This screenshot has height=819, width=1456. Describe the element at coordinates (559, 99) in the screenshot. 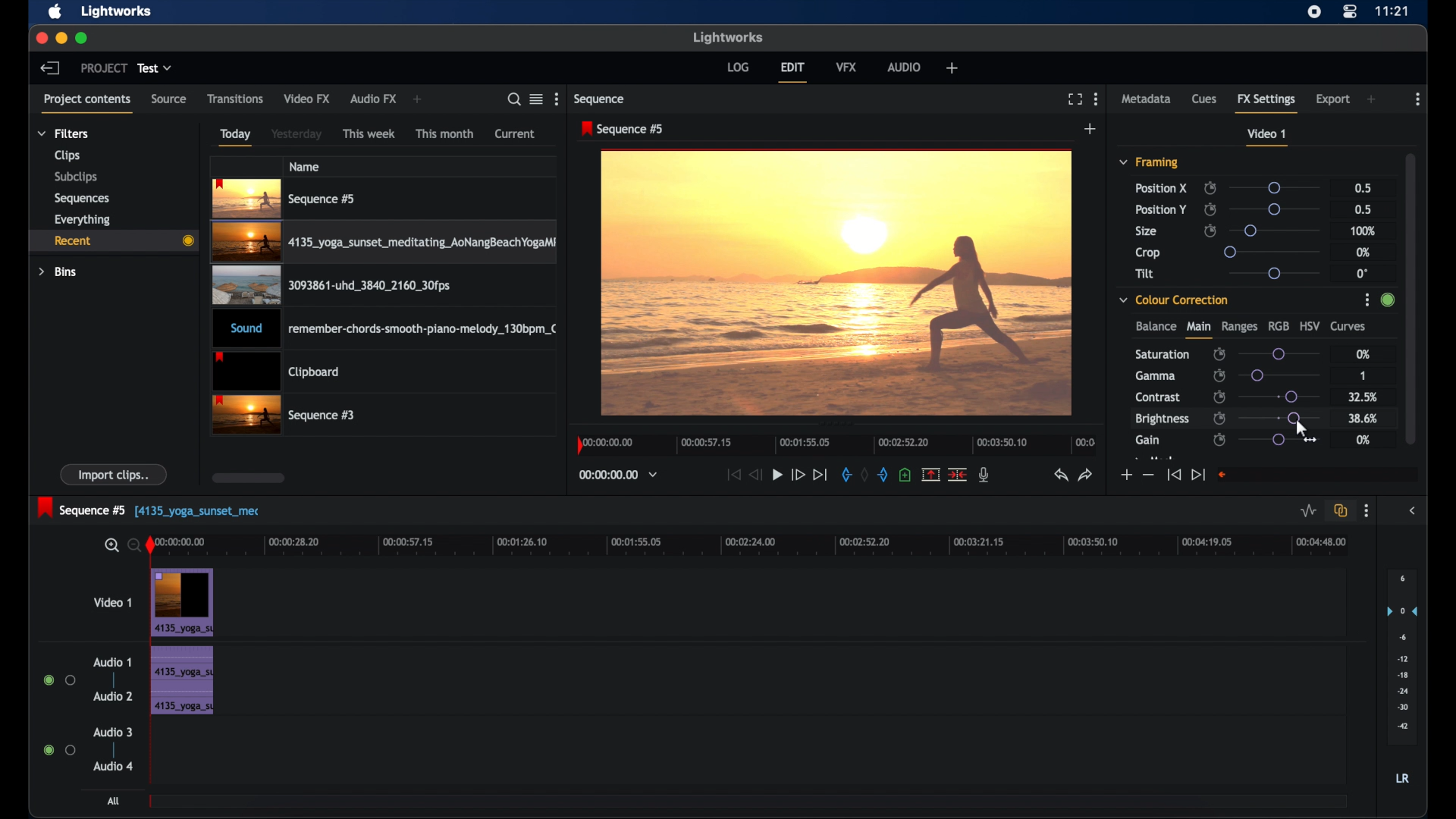

I see `more options` at that location.